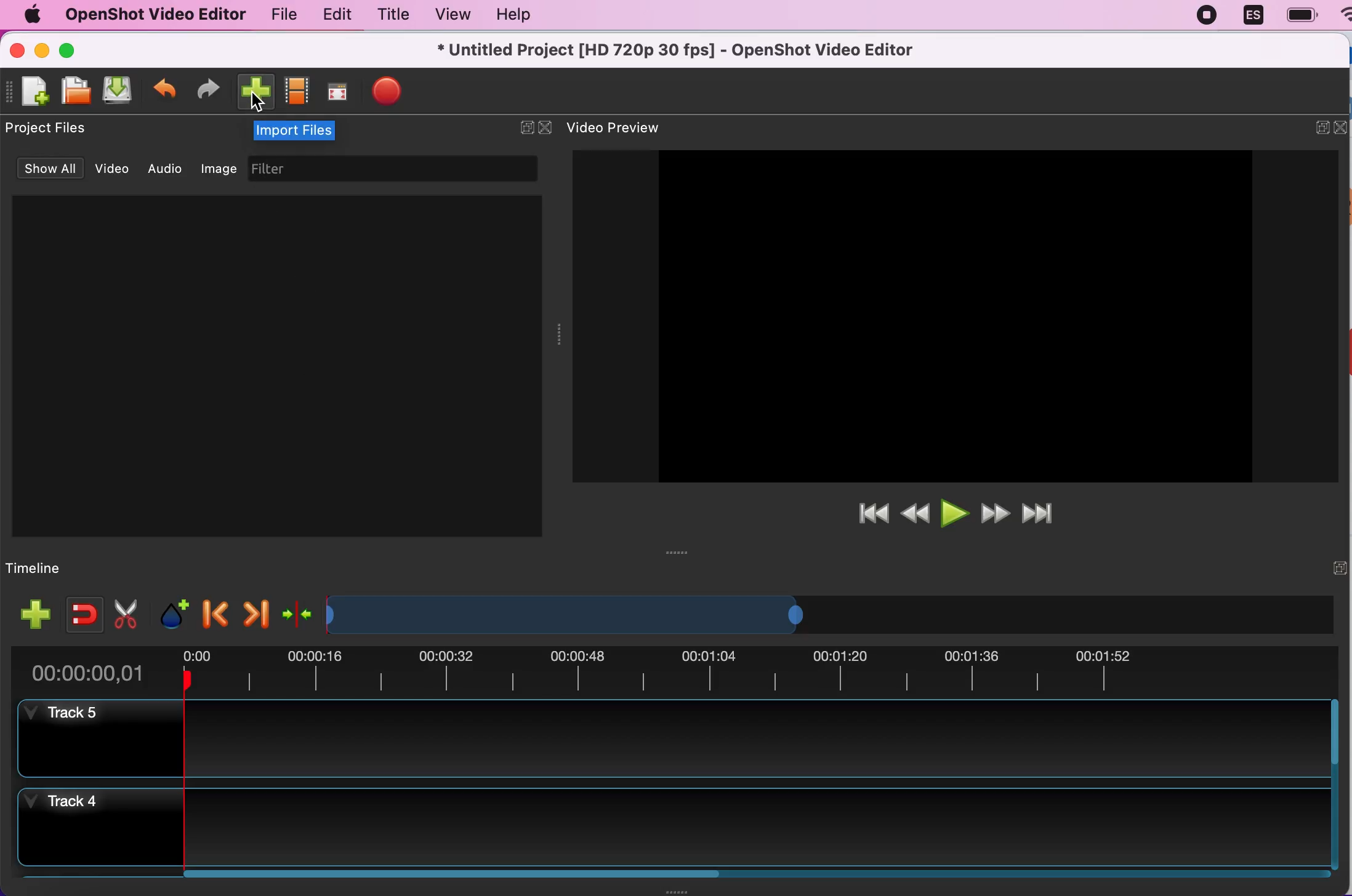  I want to click on import files, so click(300, 130).